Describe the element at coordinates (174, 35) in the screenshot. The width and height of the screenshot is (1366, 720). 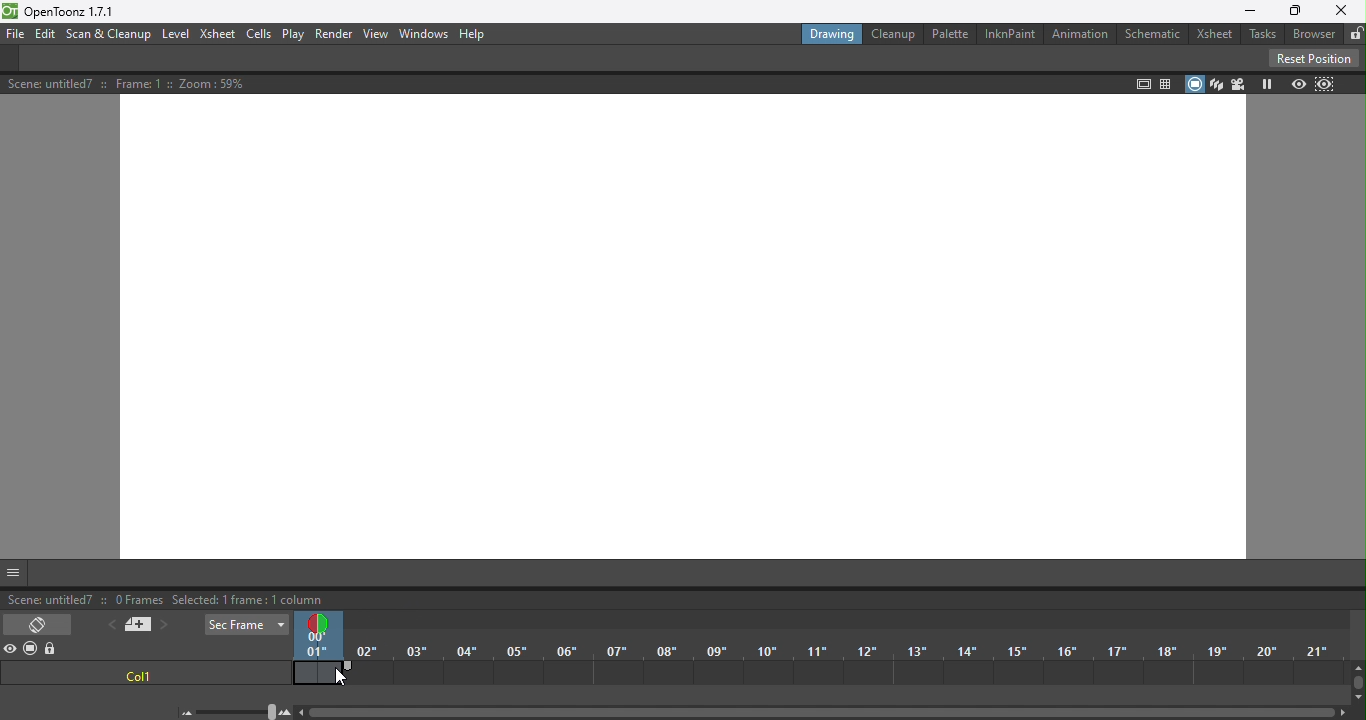
I see `Level` at that location.